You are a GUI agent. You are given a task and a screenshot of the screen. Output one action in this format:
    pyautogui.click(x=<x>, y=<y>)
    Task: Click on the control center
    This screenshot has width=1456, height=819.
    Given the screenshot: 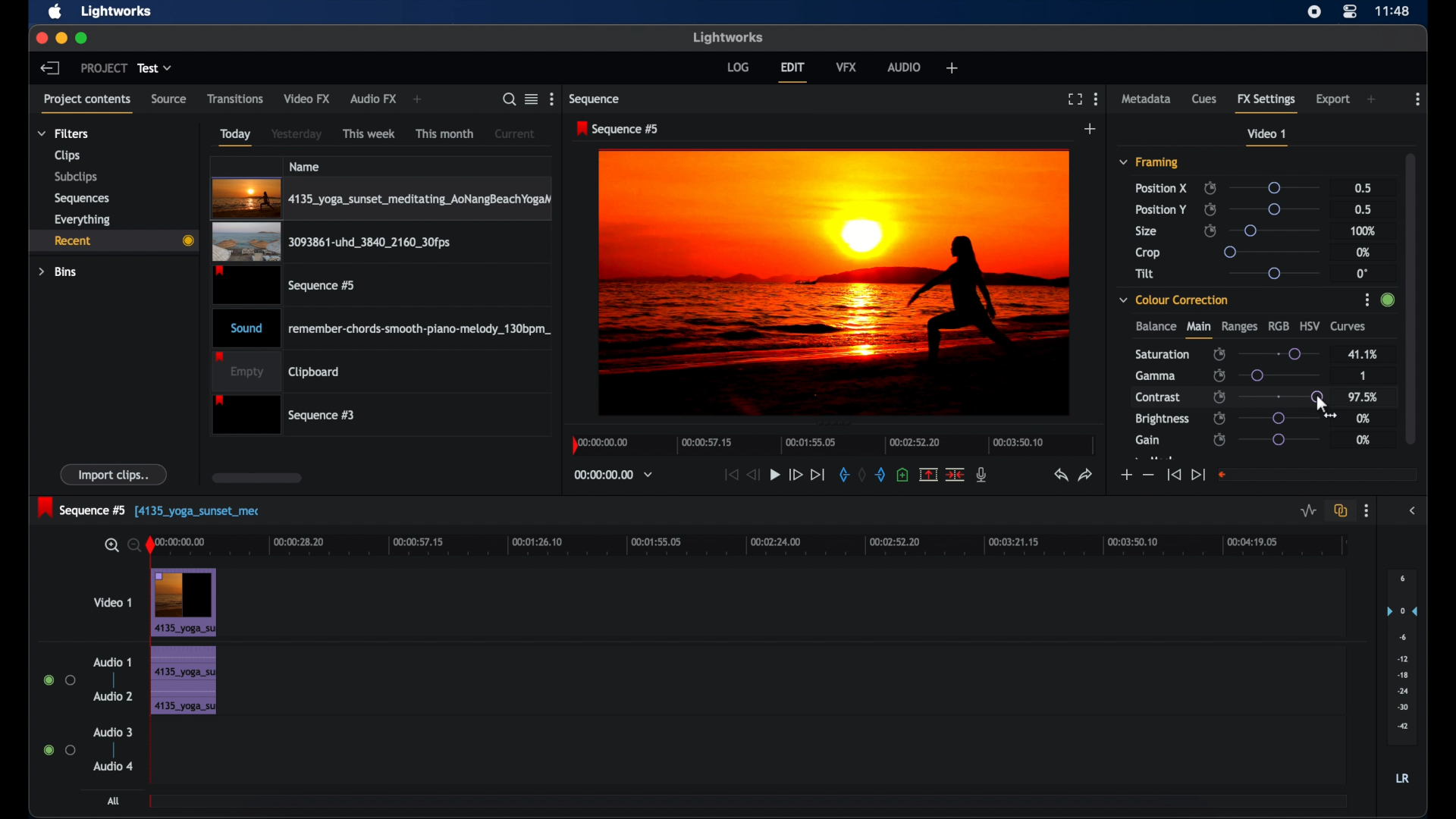 What is the action you would take?
    pyautogui.click(x=1351, y=11)
    